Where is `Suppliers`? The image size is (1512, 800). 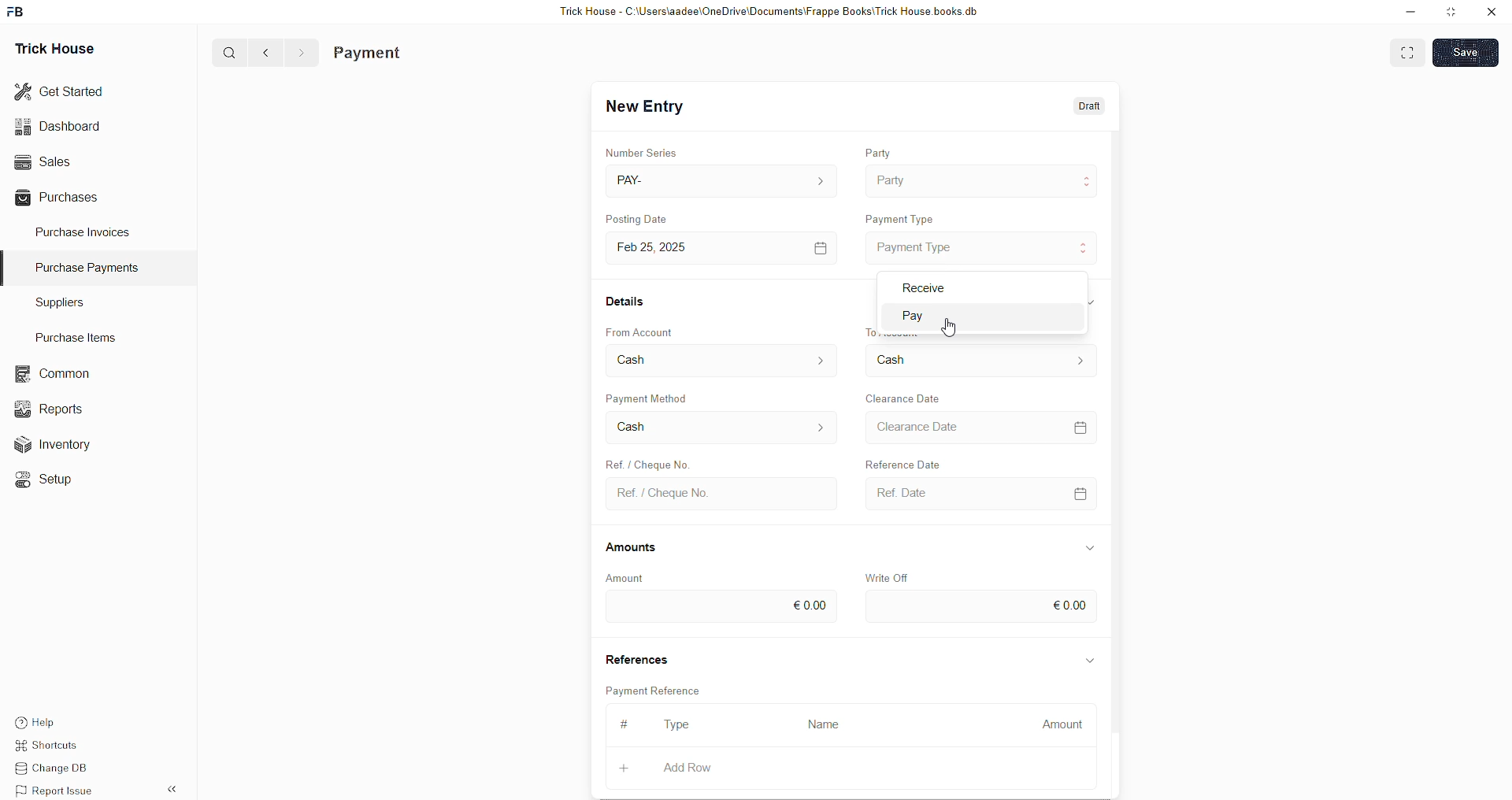
Suppliers is located at coordinates (54, 302).